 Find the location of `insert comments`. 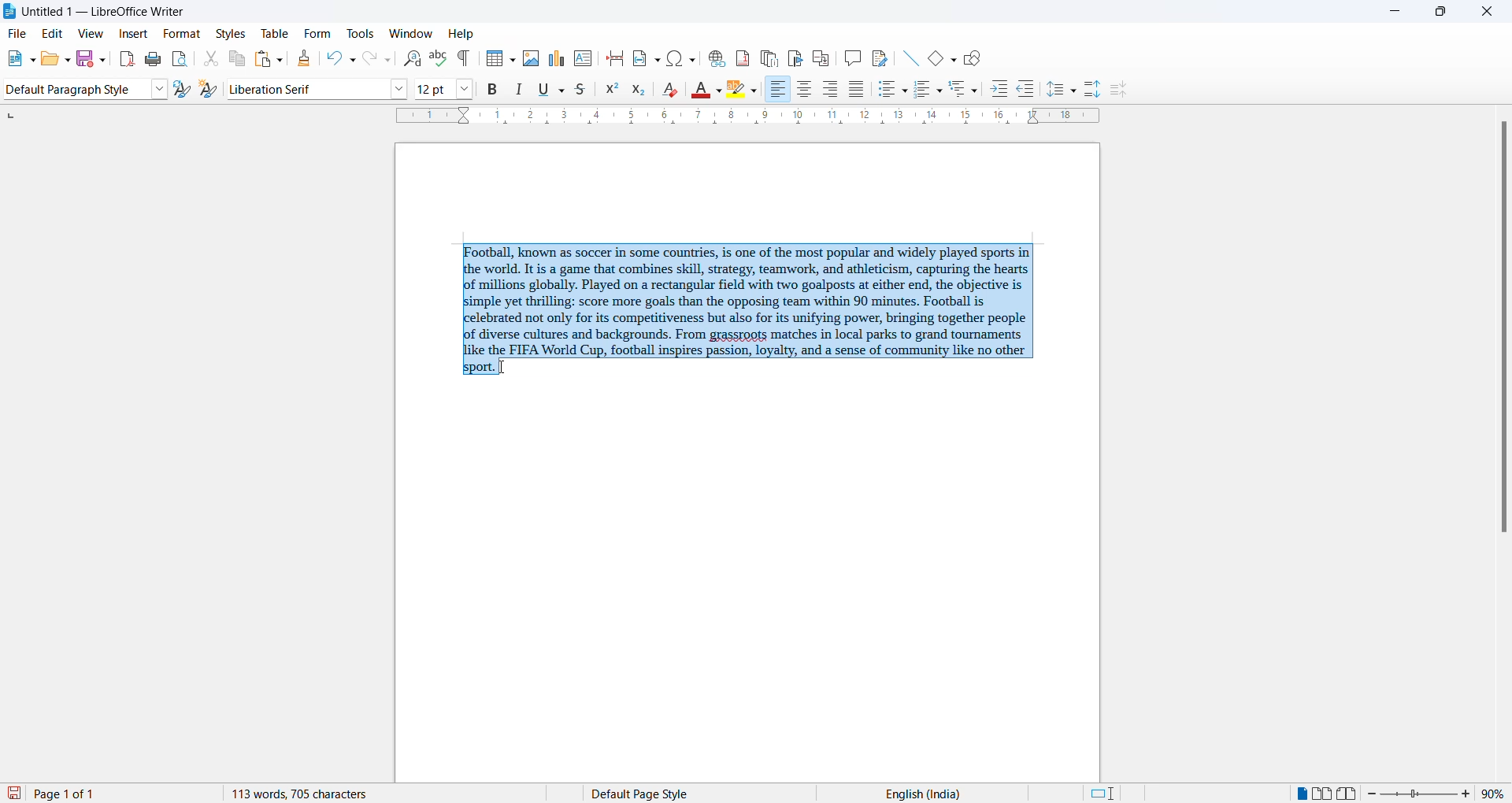

insert comments is located at coordinates (854, 58).